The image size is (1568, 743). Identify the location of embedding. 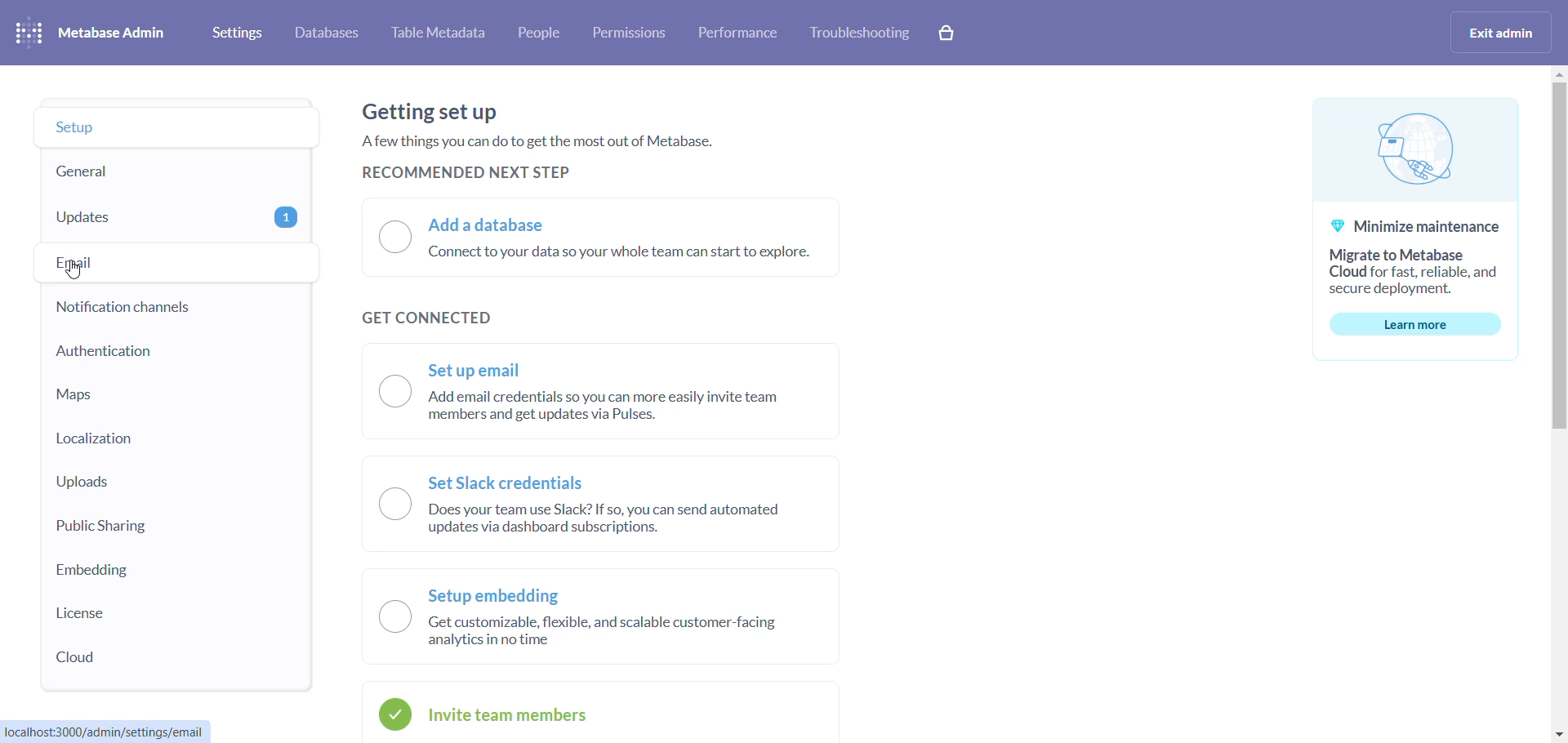
(150, 574).